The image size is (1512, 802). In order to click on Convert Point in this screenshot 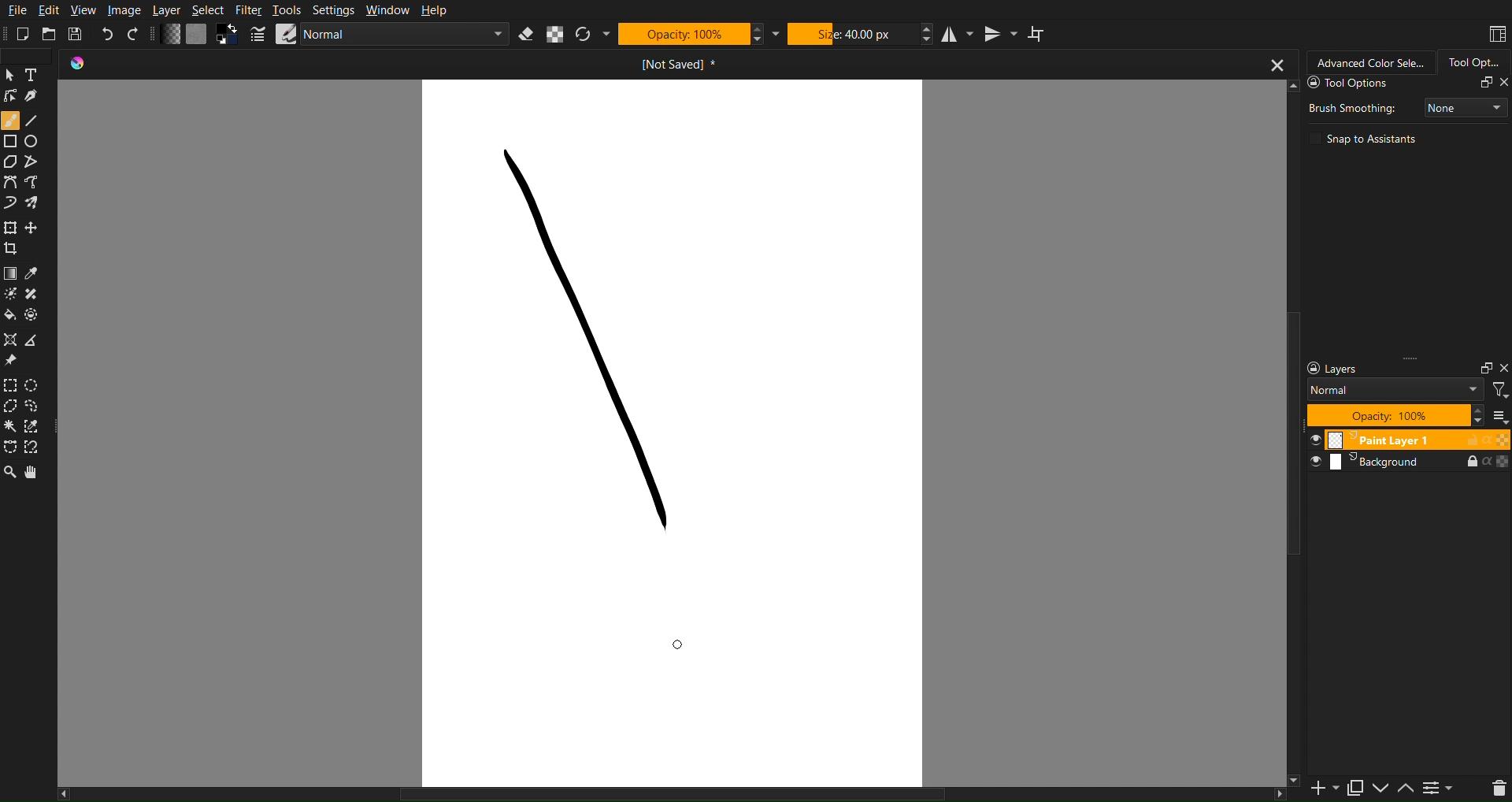, I will do `click(38, 340)`.